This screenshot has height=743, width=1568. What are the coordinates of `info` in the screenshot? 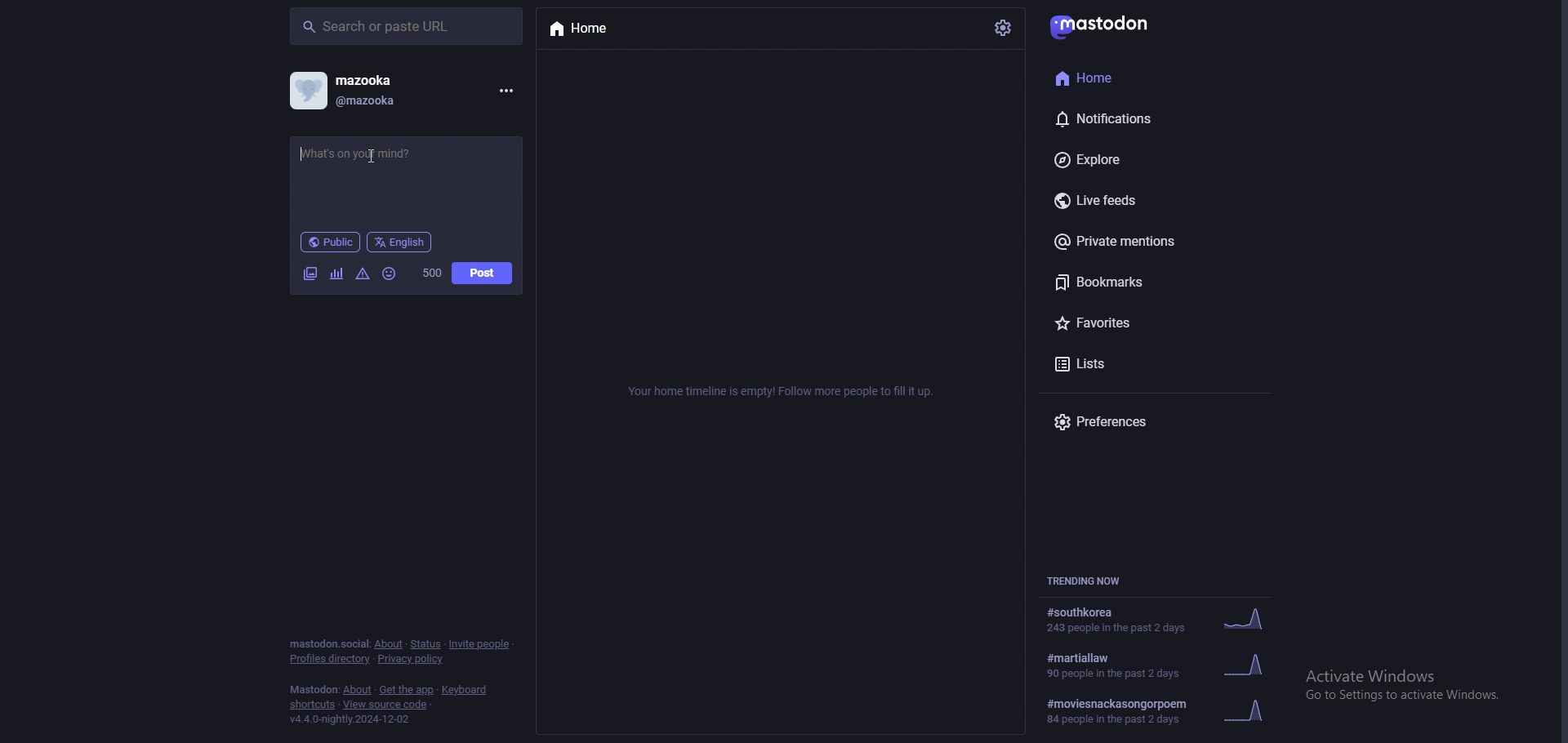 It's located at (777, 394).